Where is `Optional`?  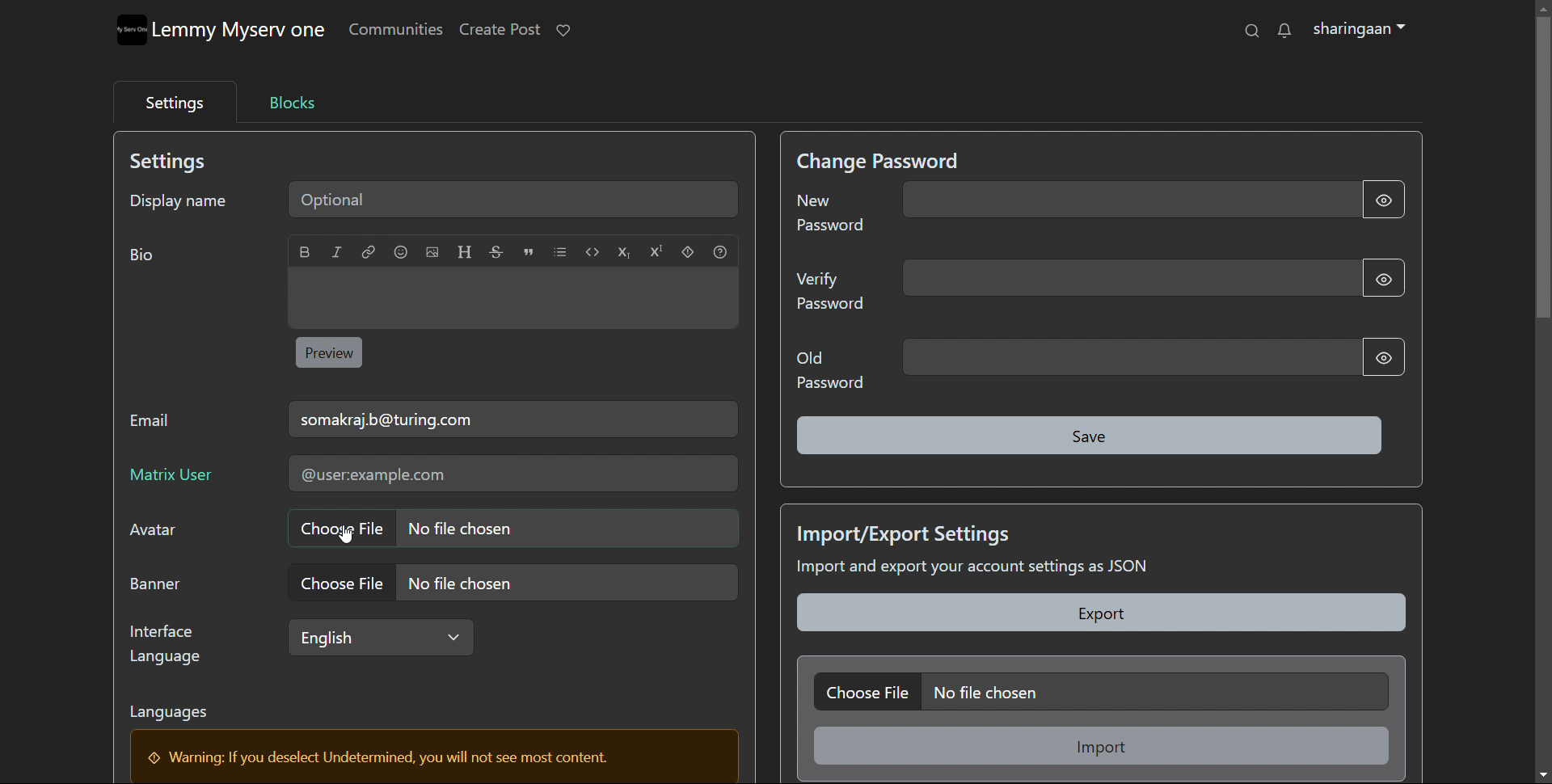
Optional is located at coordinates (518, 198).